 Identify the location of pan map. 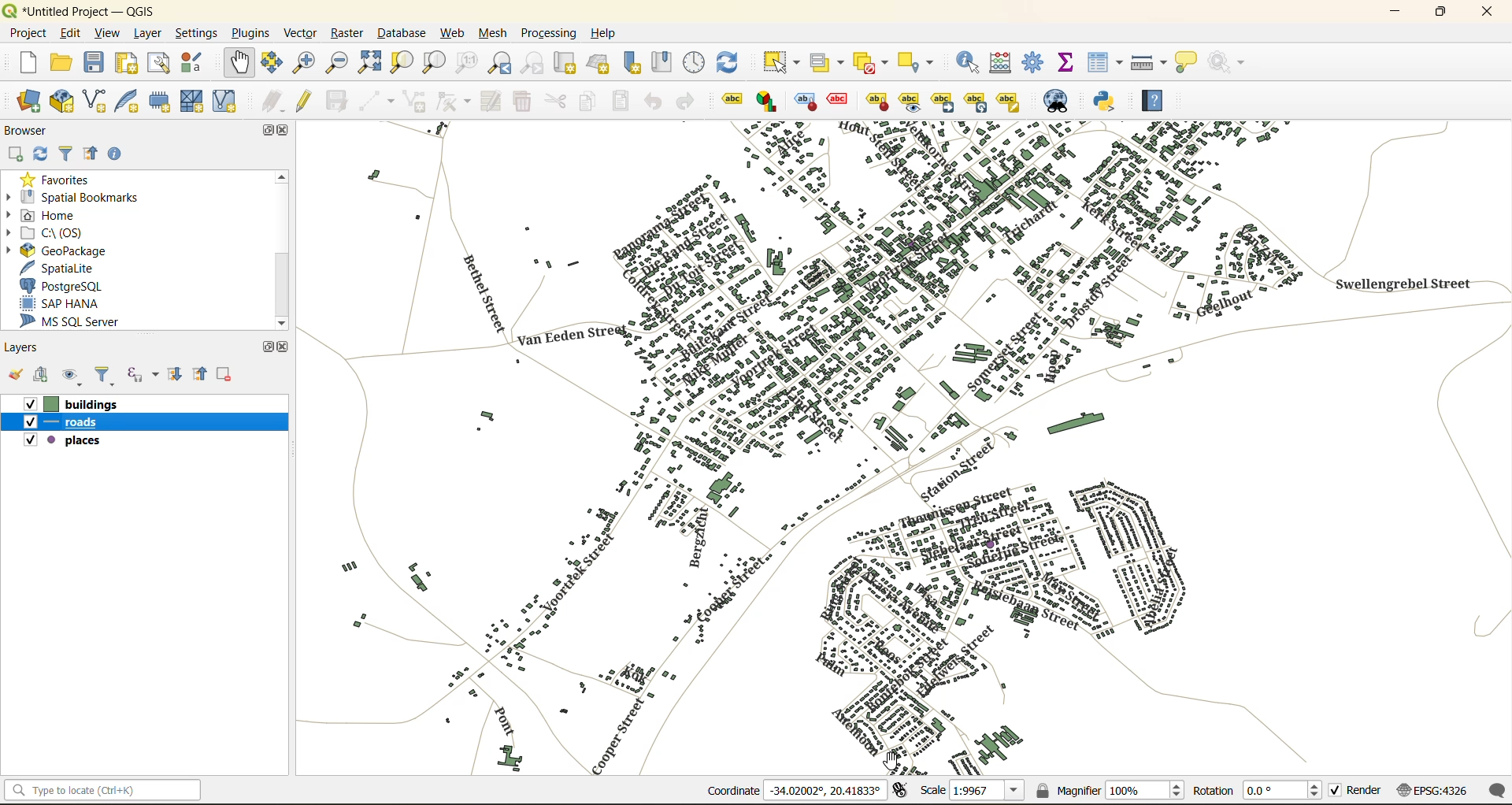
(236, 63).